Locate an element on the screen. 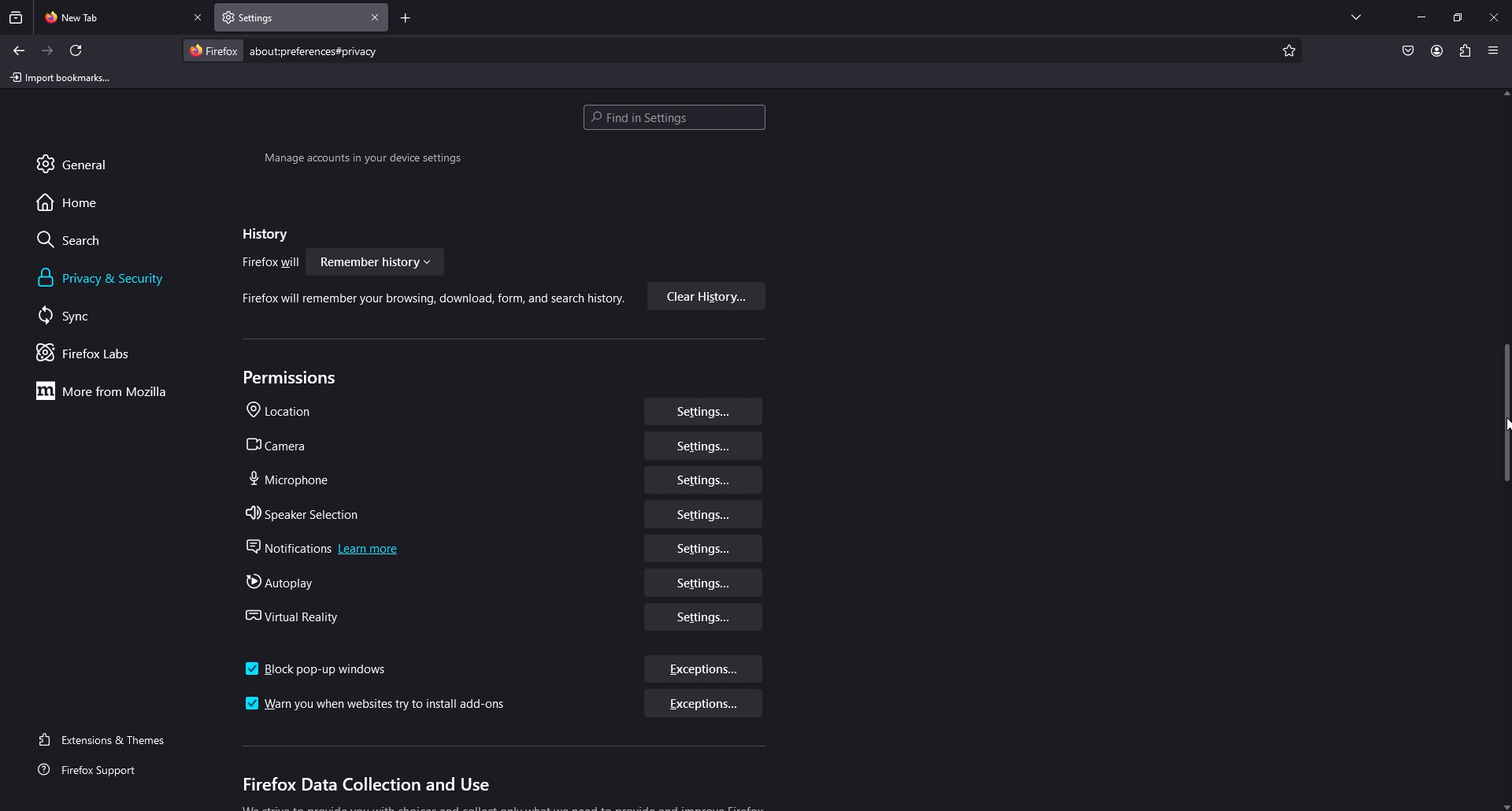 This screenshot has height=811, width=1512. warn you when websites try install add ons is located at coordinates (380, 705).